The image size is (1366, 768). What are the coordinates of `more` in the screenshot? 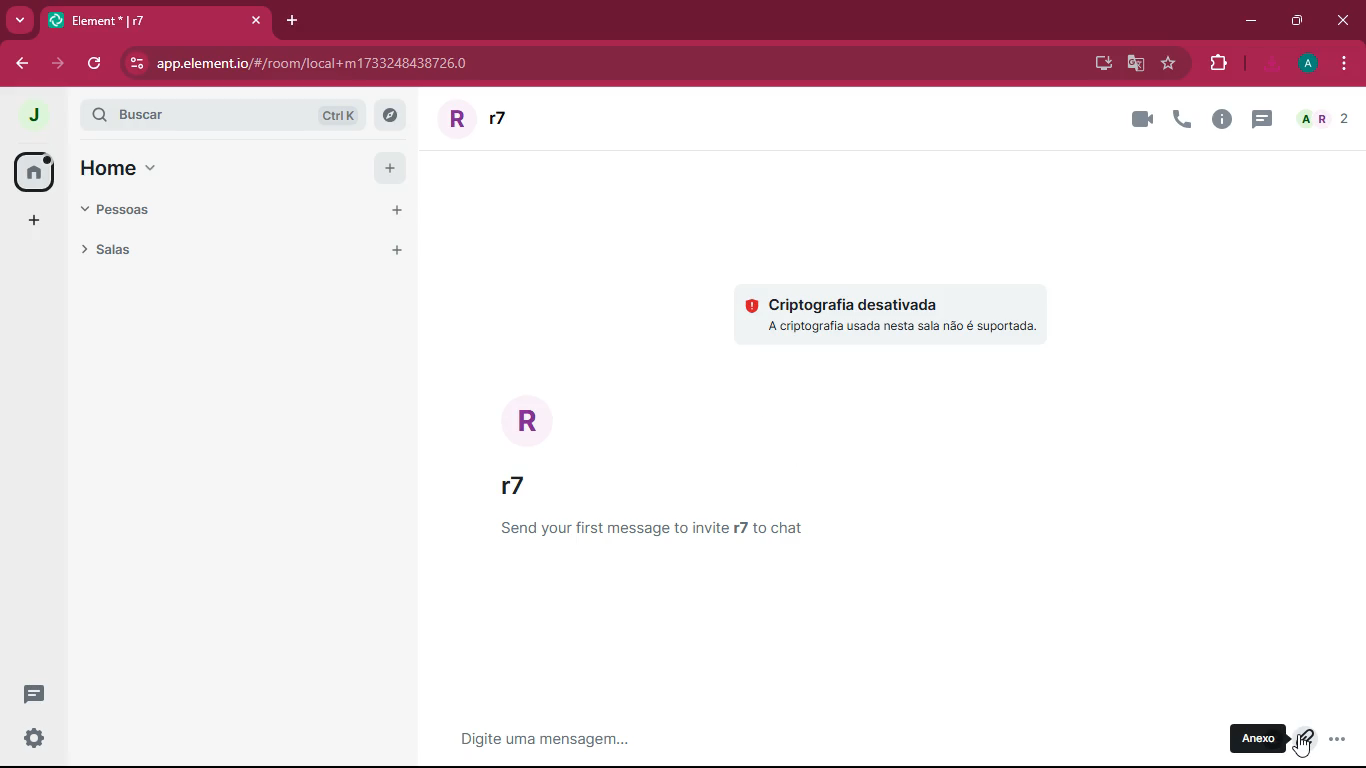 It's located at (31, 221).